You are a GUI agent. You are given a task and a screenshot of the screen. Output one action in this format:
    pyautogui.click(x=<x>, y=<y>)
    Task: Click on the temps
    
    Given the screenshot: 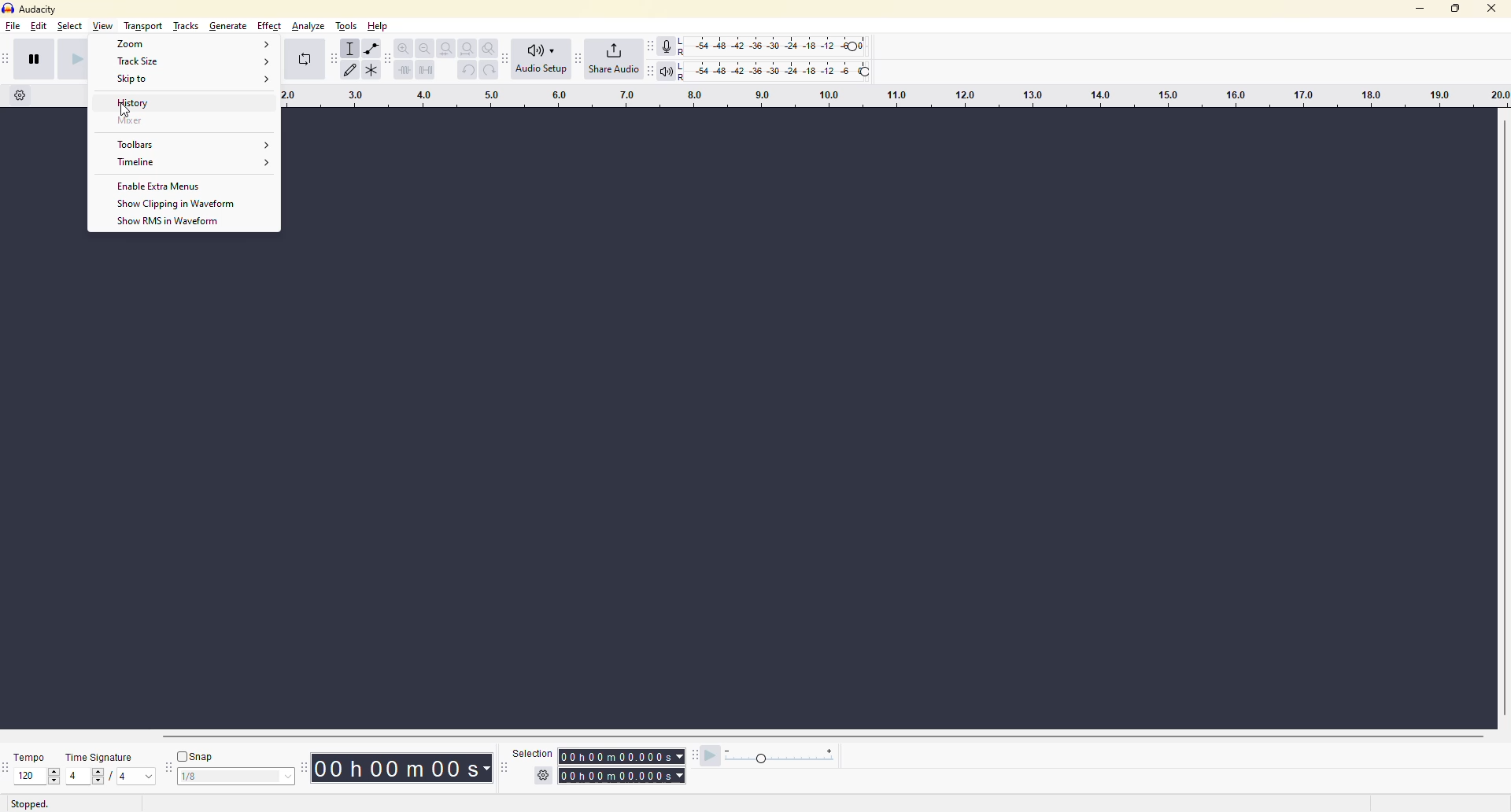 What is the action you would take?
    pyautogui.click(x=31, y=756)
    